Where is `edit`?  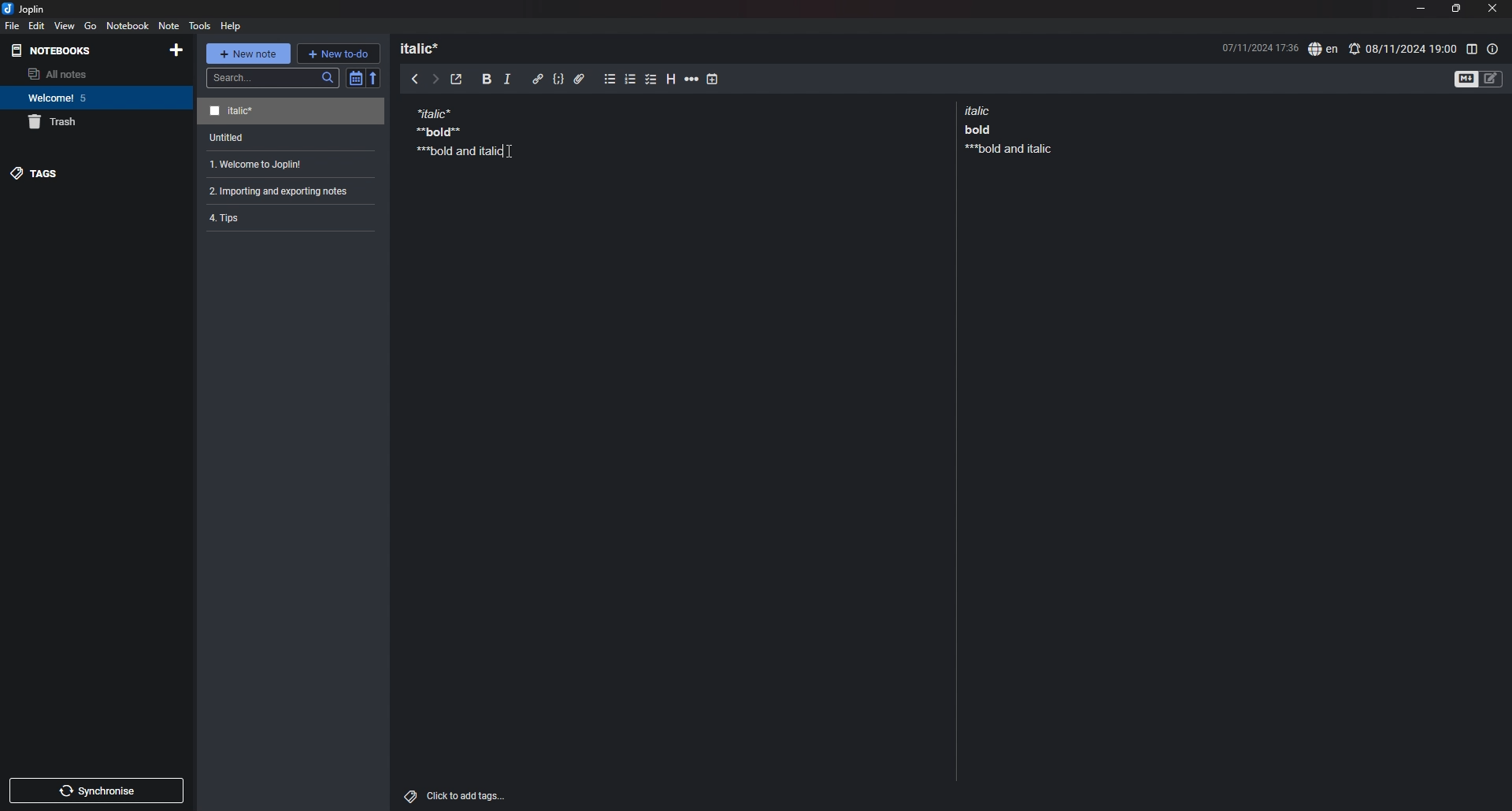 edit is located at coordinates (37, 25).